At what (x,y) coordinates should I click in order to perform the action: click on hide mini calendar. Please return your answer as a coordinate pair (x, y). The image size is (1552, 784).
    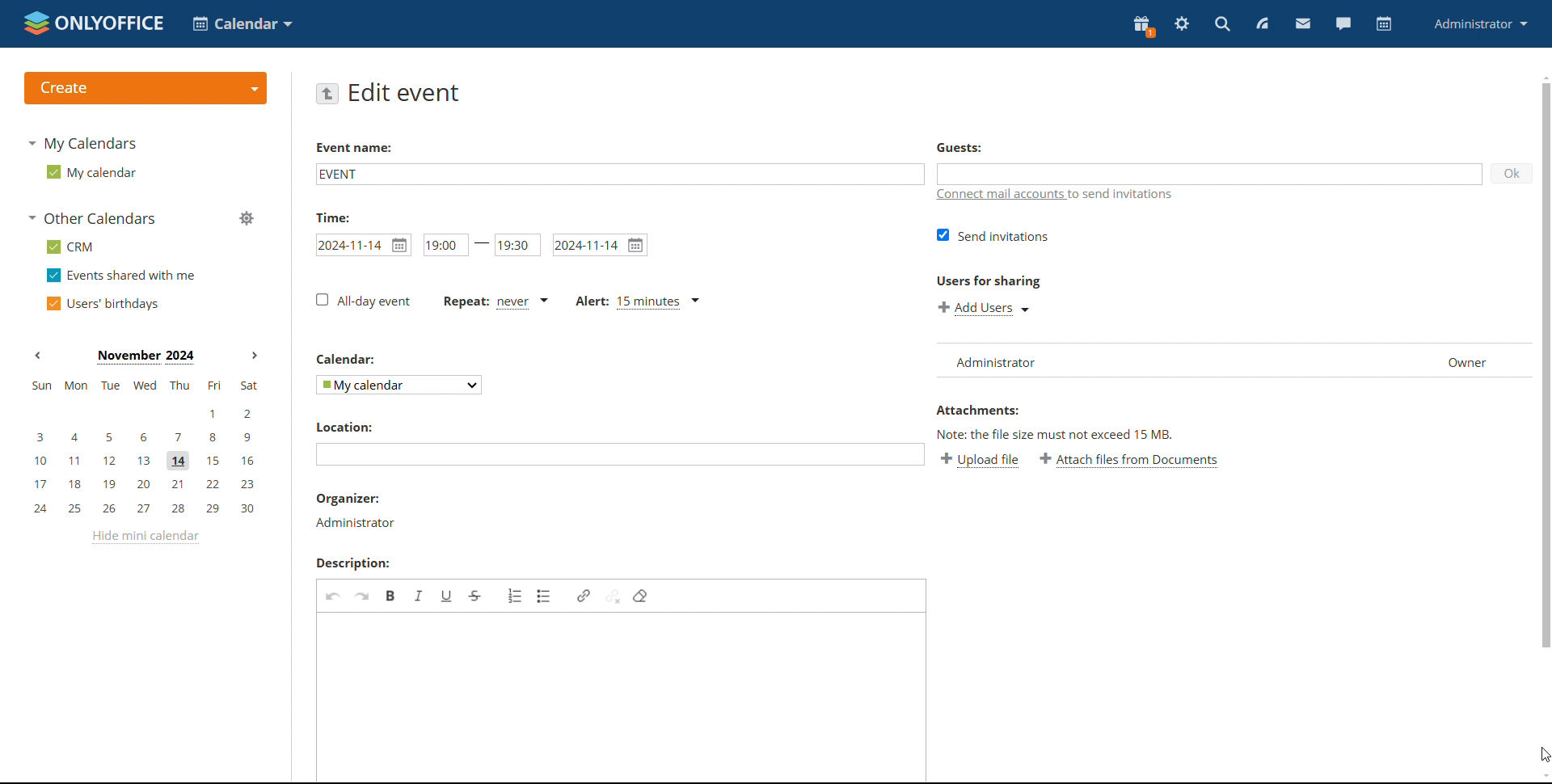
    Looking at the image, I should click on (145, 537).